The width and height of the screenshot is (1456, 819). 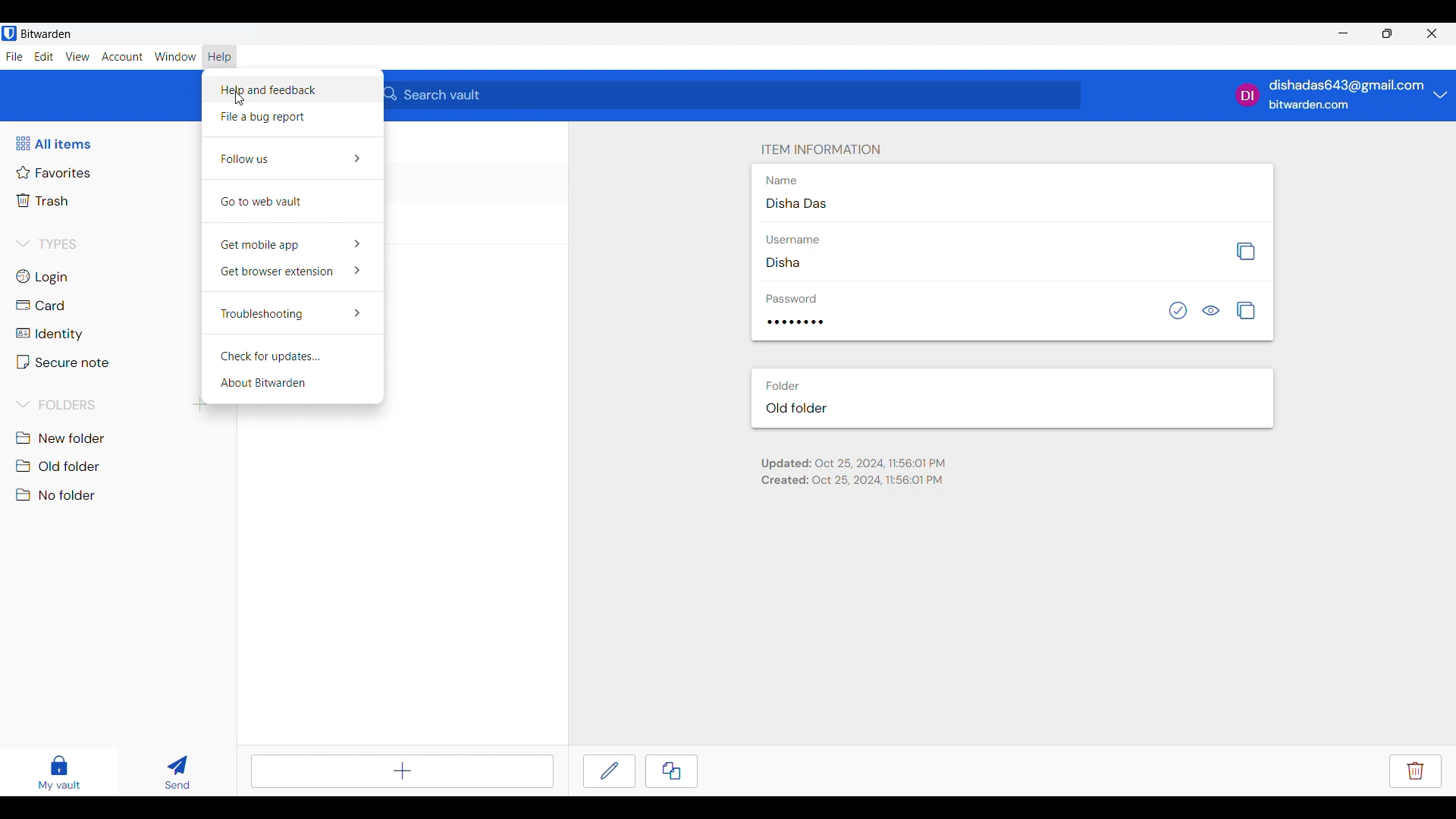 I want to click on File a bug report, so click(x=293, y=118).